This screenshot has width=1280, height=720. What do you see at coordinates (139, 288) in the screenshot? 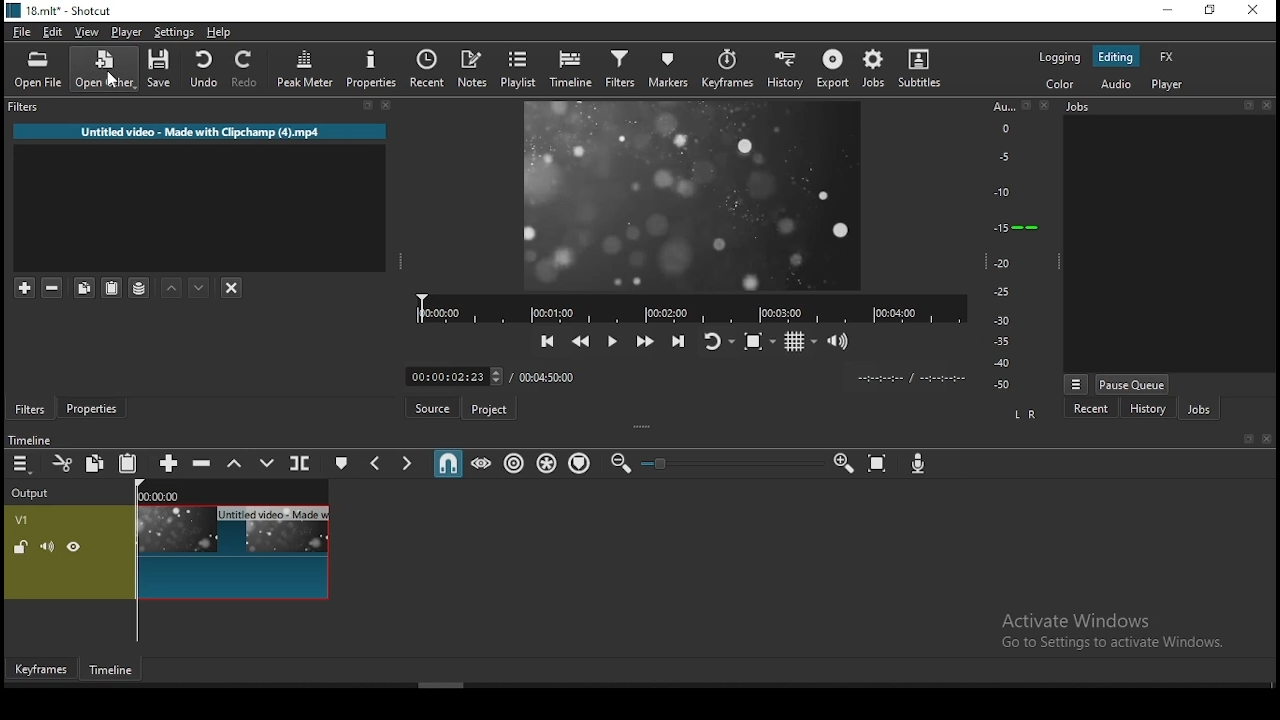
I see `save filter sets` at bounding box center [139, 288].